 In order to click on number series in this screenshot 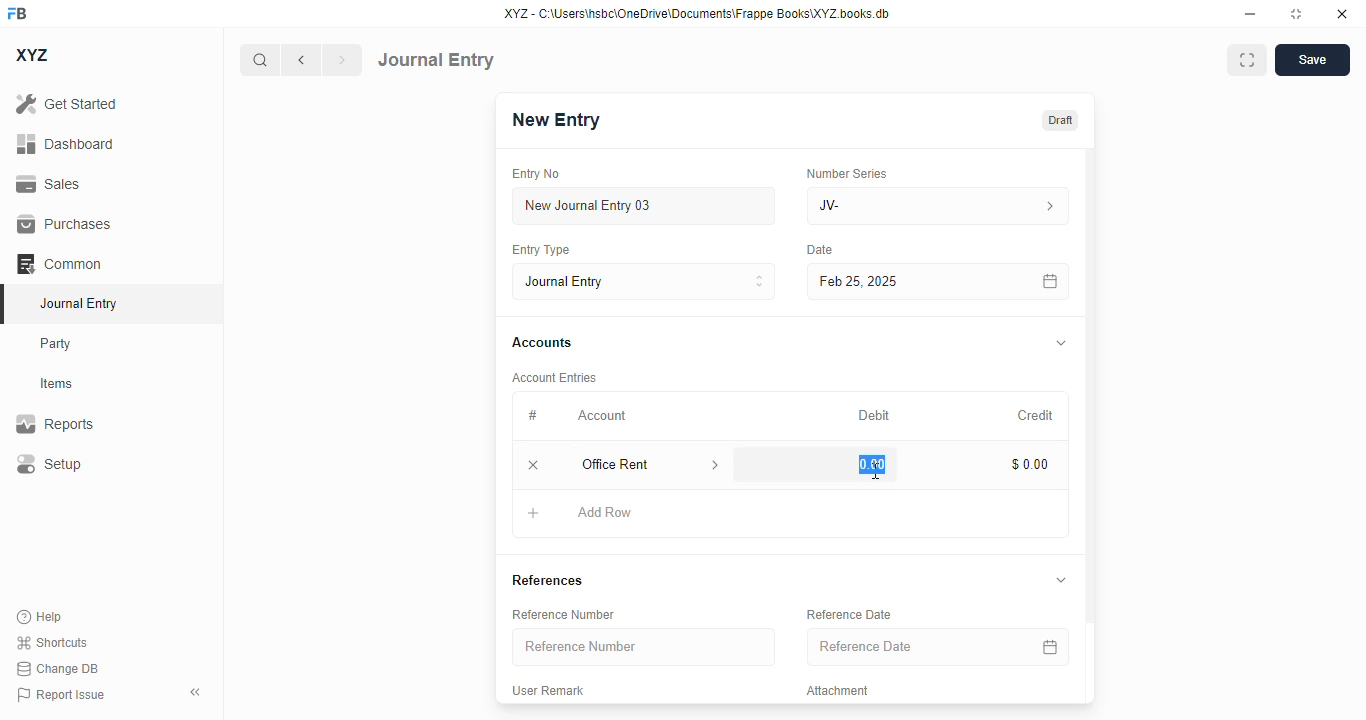, I will do `click(846, 173)`.